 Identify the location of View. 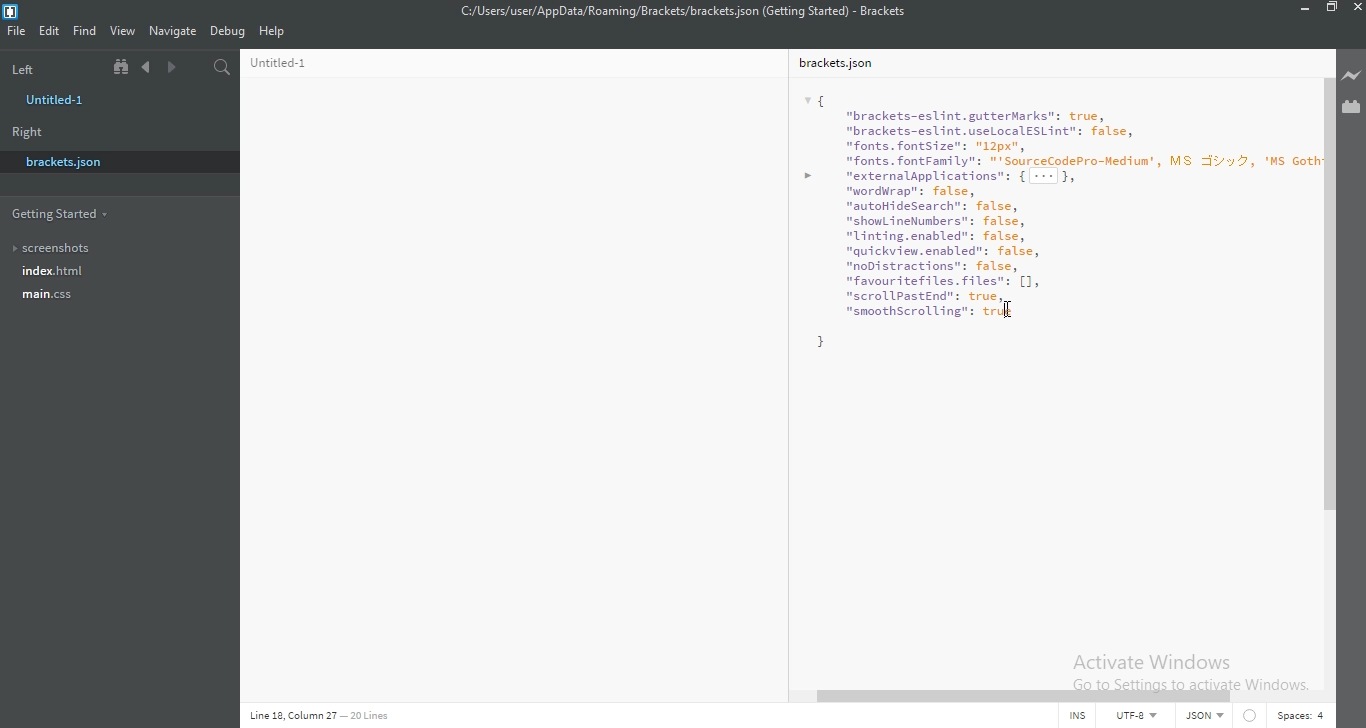
(125, 29).